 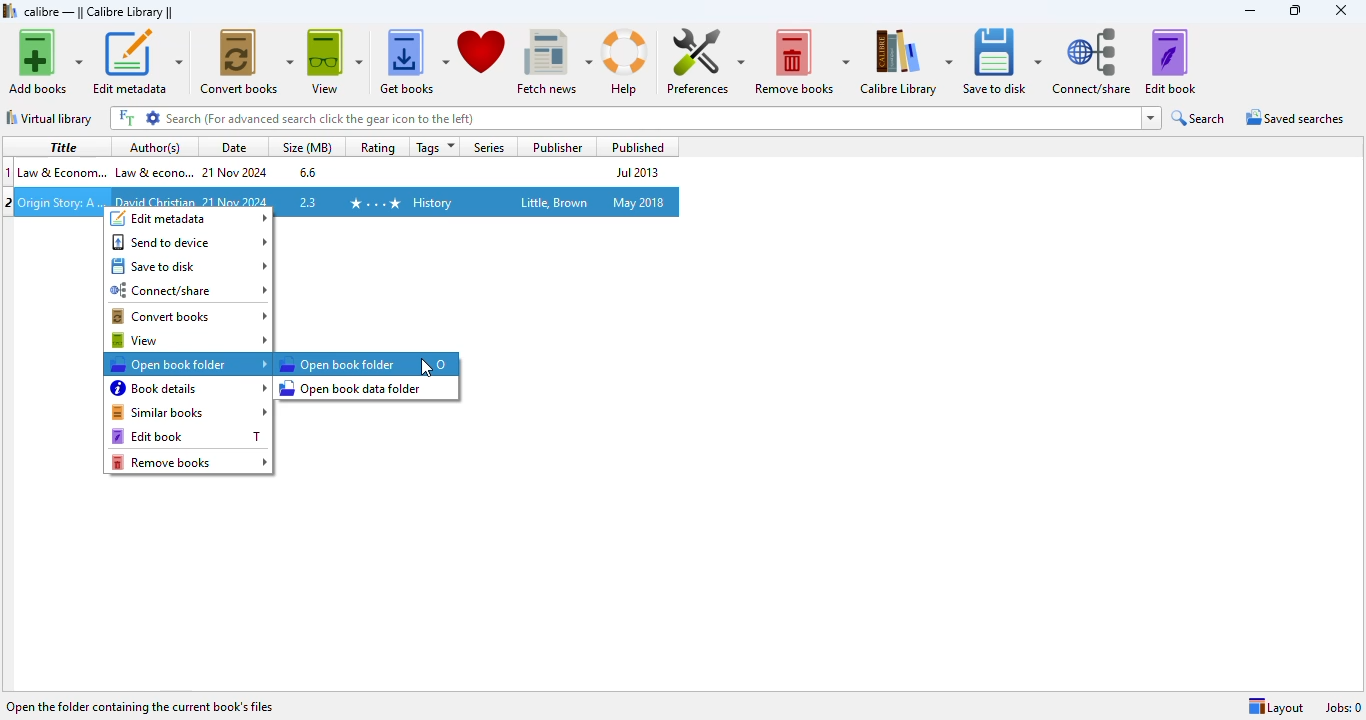 I want to click on search, so click(x=623, y=119).